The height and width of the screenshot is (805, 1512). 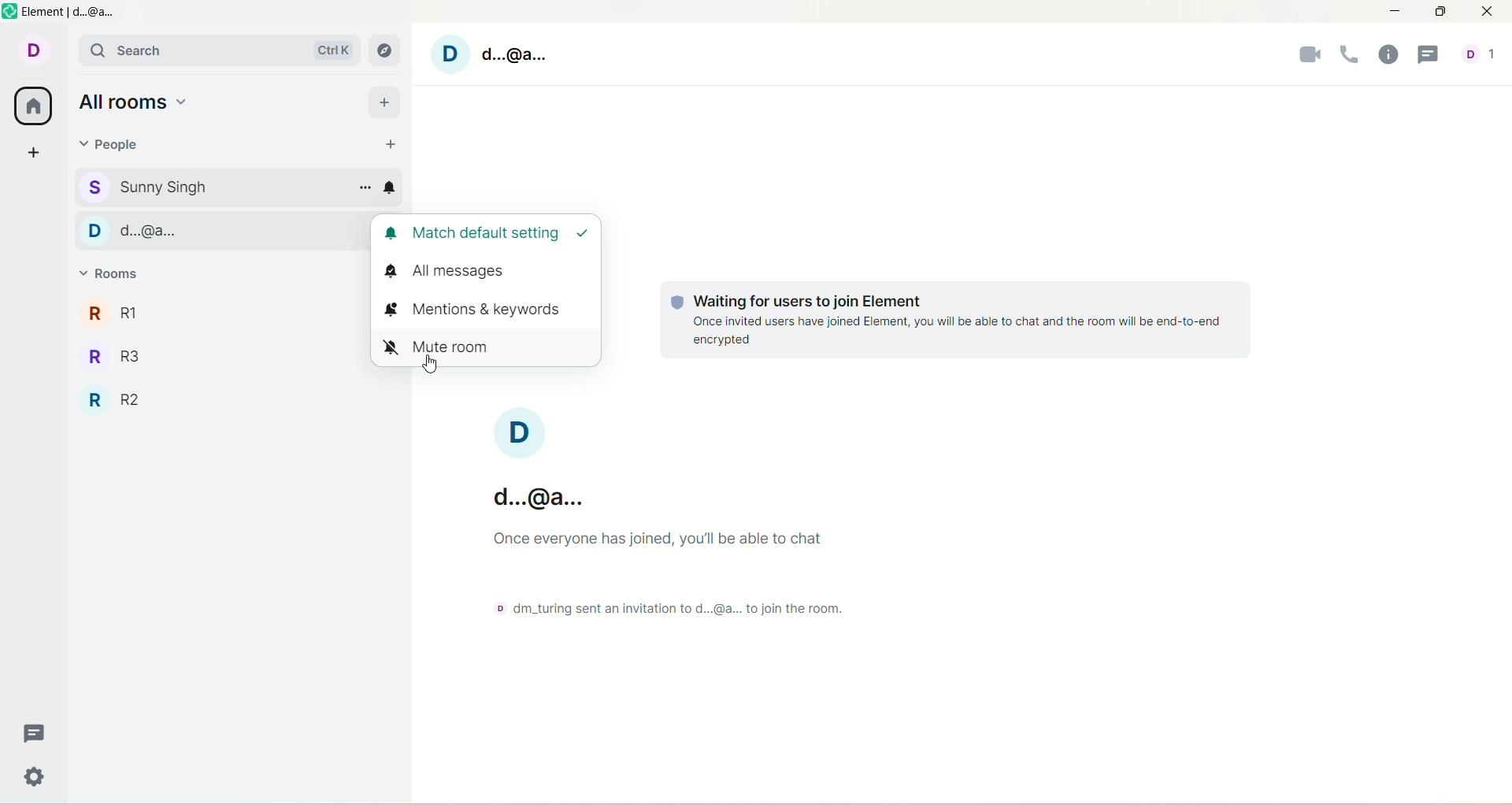 What do you see at coordinates (220, 228) in the screenshot?
I see `d...@...` at bounding box center [220, 228].